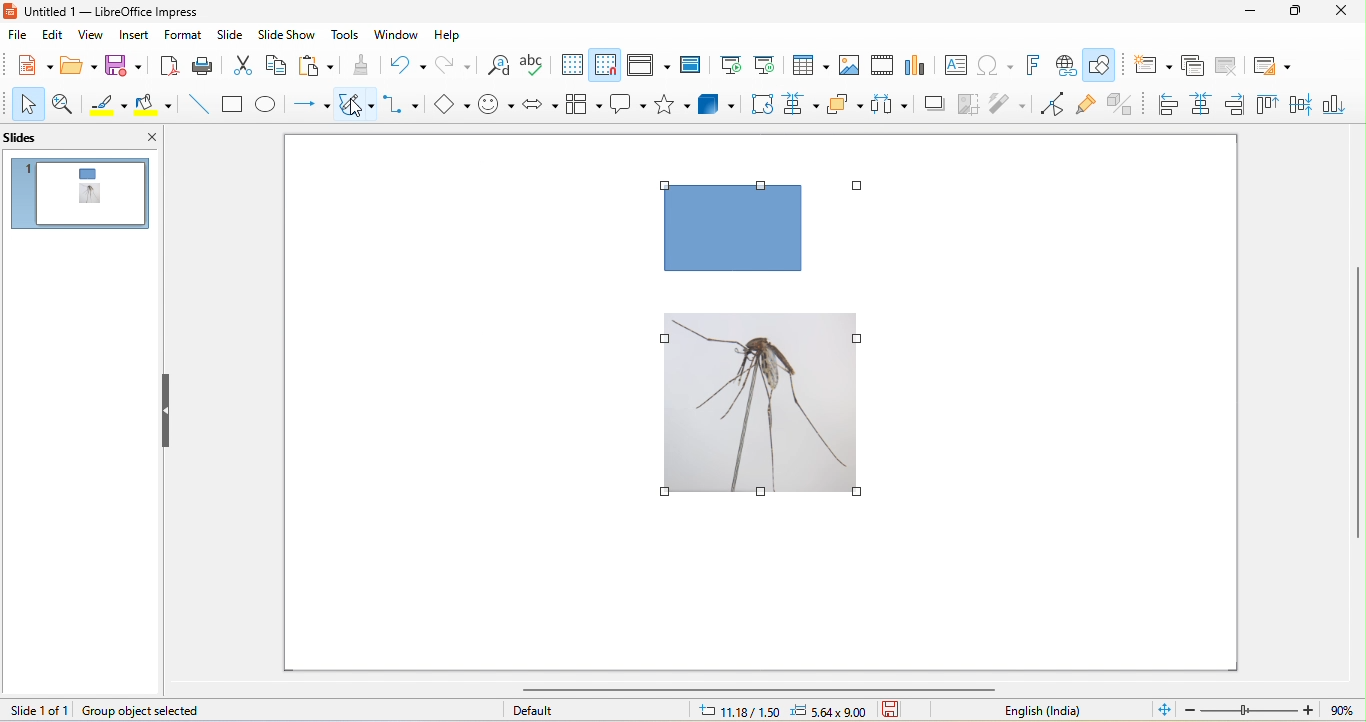 The image size is (1366, 722). I want to click on start from current slide, so click(769, 67).